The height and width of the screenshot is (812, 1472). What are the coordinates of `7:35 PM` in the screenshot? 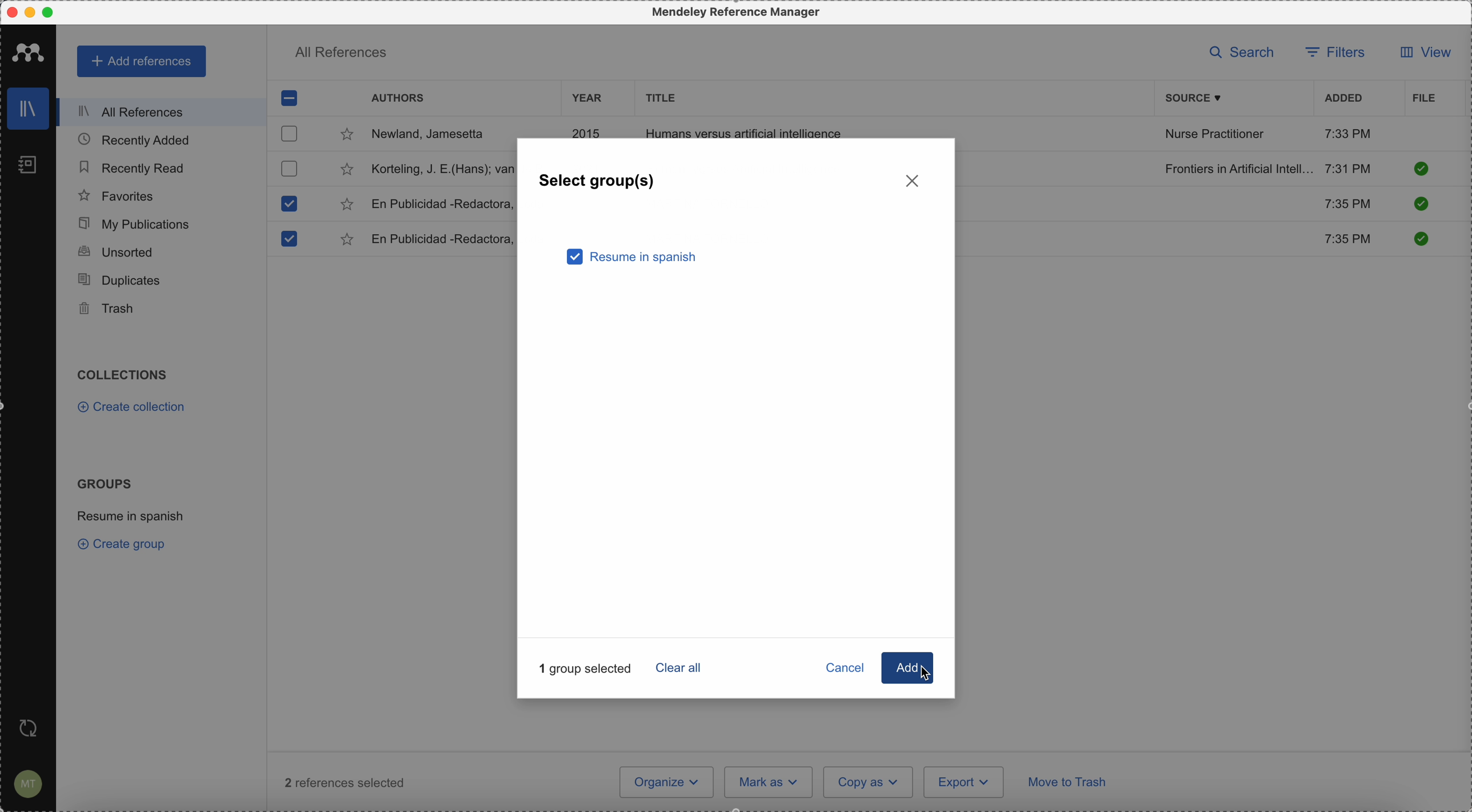 It's located at (1346, 202).